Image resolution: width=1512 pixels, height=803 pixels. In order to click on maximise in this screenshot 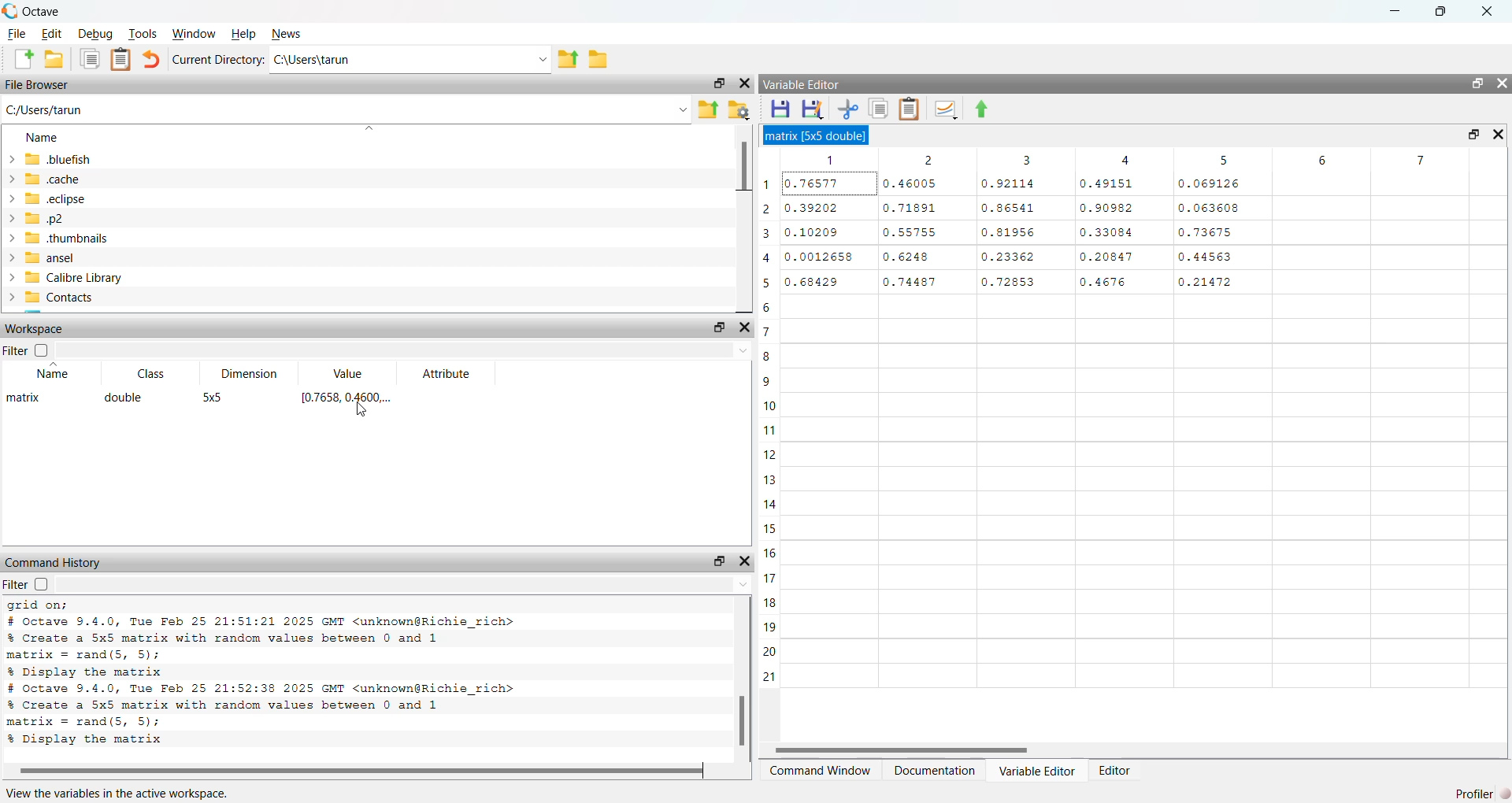, I will do `click(1466, 132)`.